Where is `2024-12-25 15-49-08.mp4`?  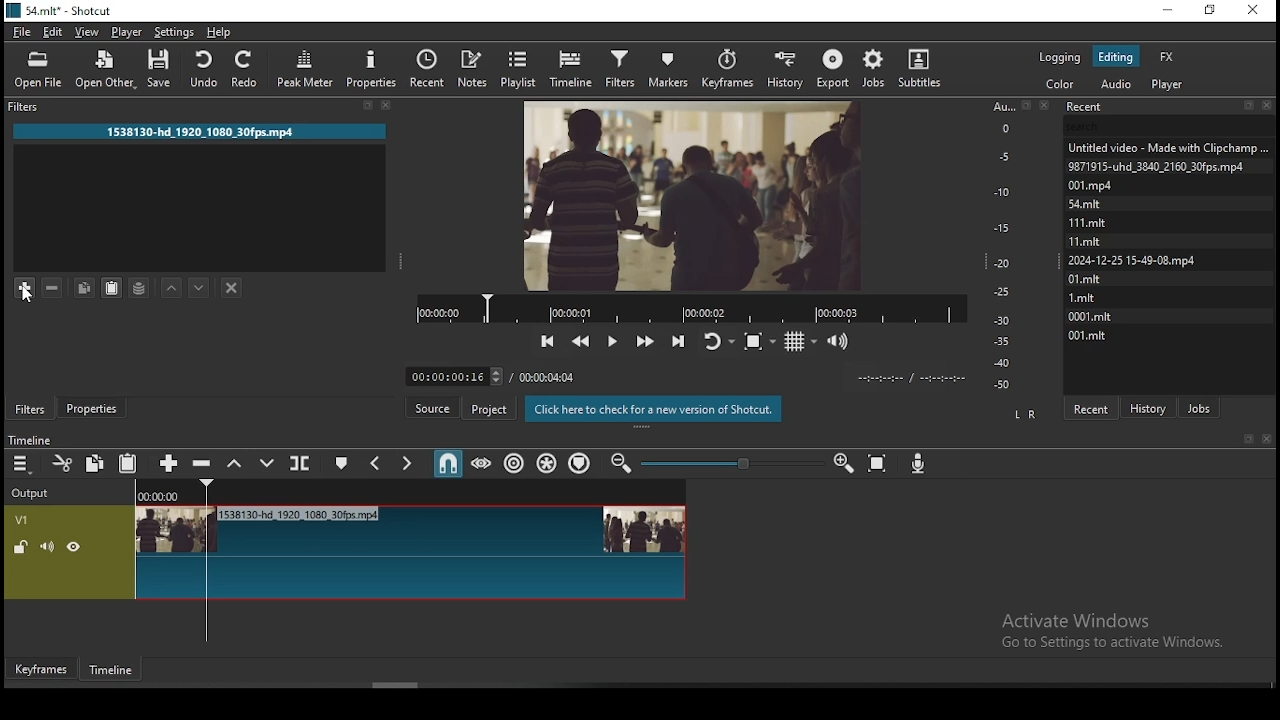
2024-12-25 15-49-08.mp4 is located at coordinates (1131, 260).